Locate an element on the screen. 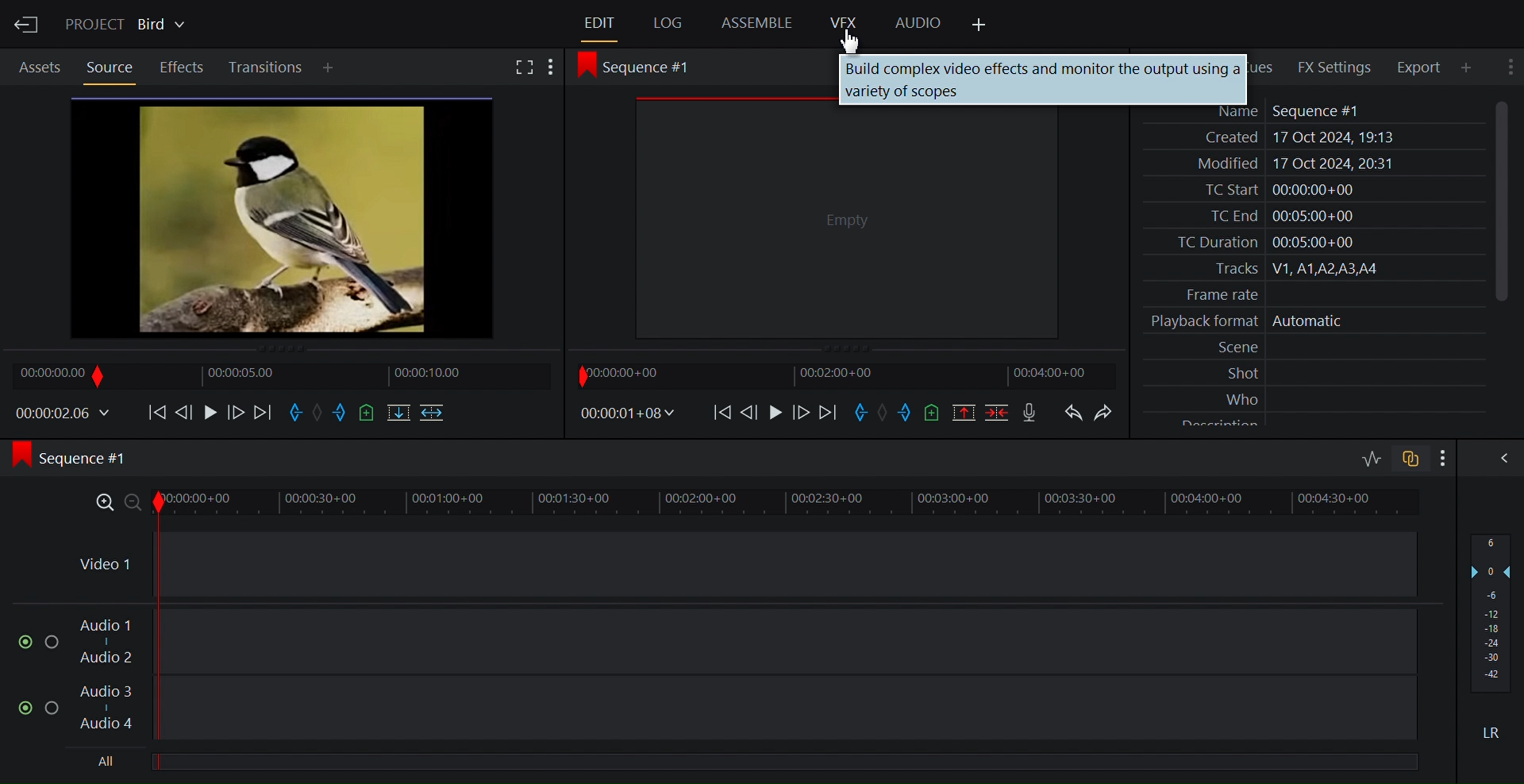 This screenshot has width=1524, height=784. Insert into the target sequence is located at coordinates (434, 414).